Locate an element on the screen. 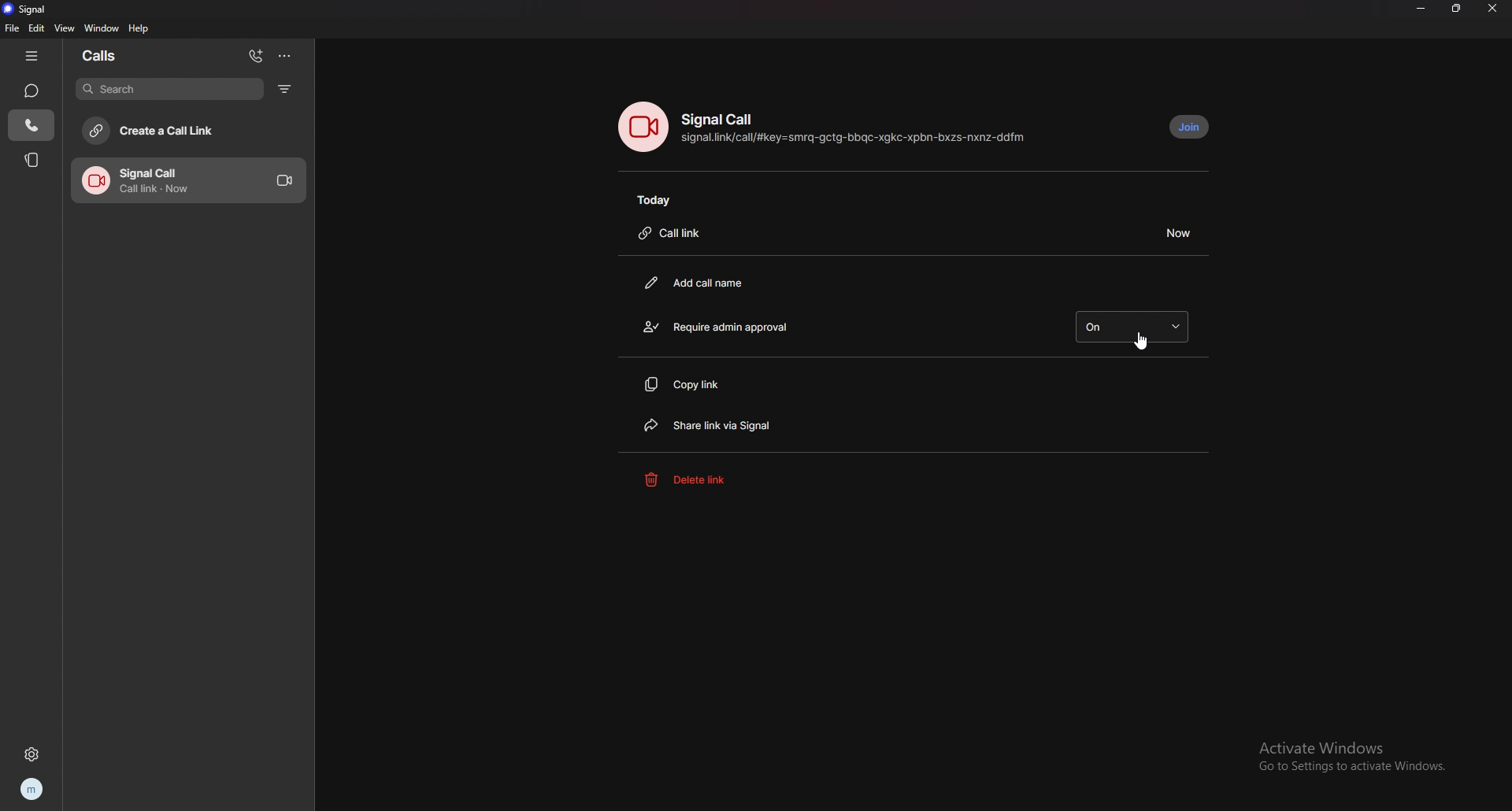 The width and height of the screenshot is (1512, 811). copy link is located at coordinates (691, 386).